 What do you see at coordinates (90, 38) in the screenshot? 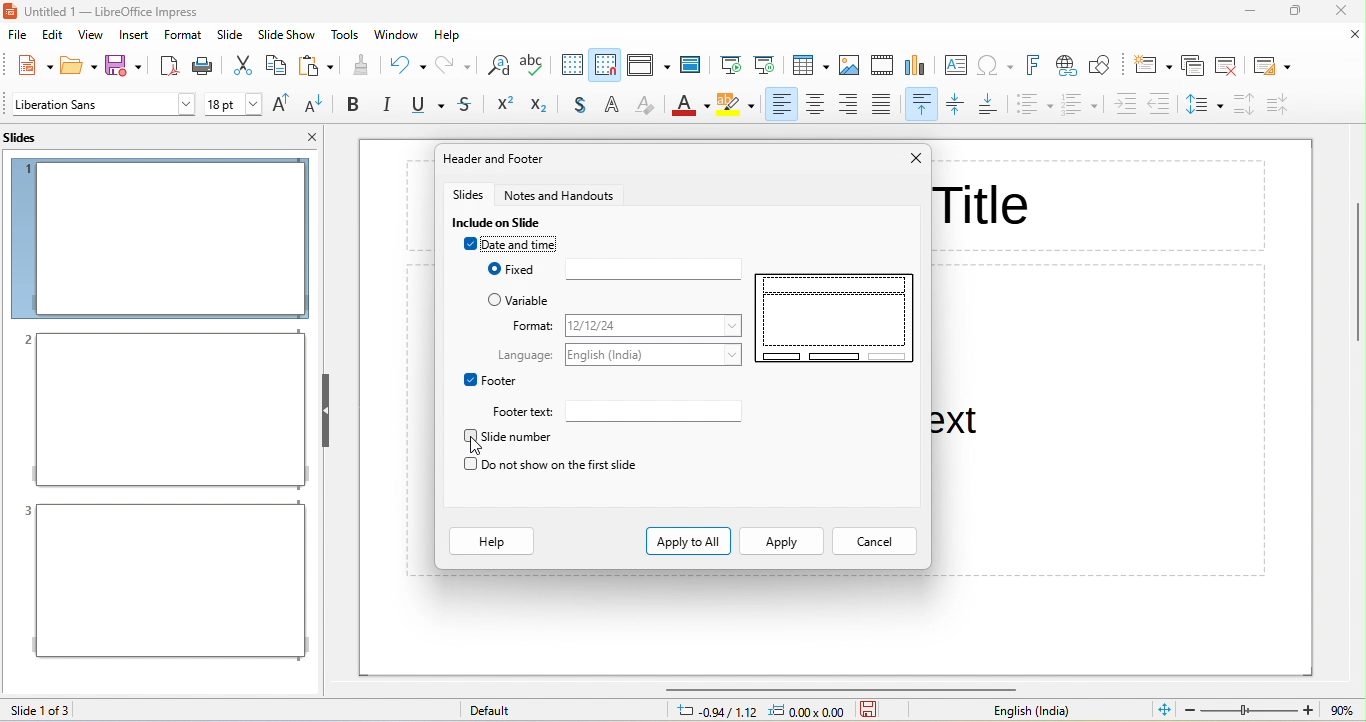
I see `view` at bounding box center [90, 38].